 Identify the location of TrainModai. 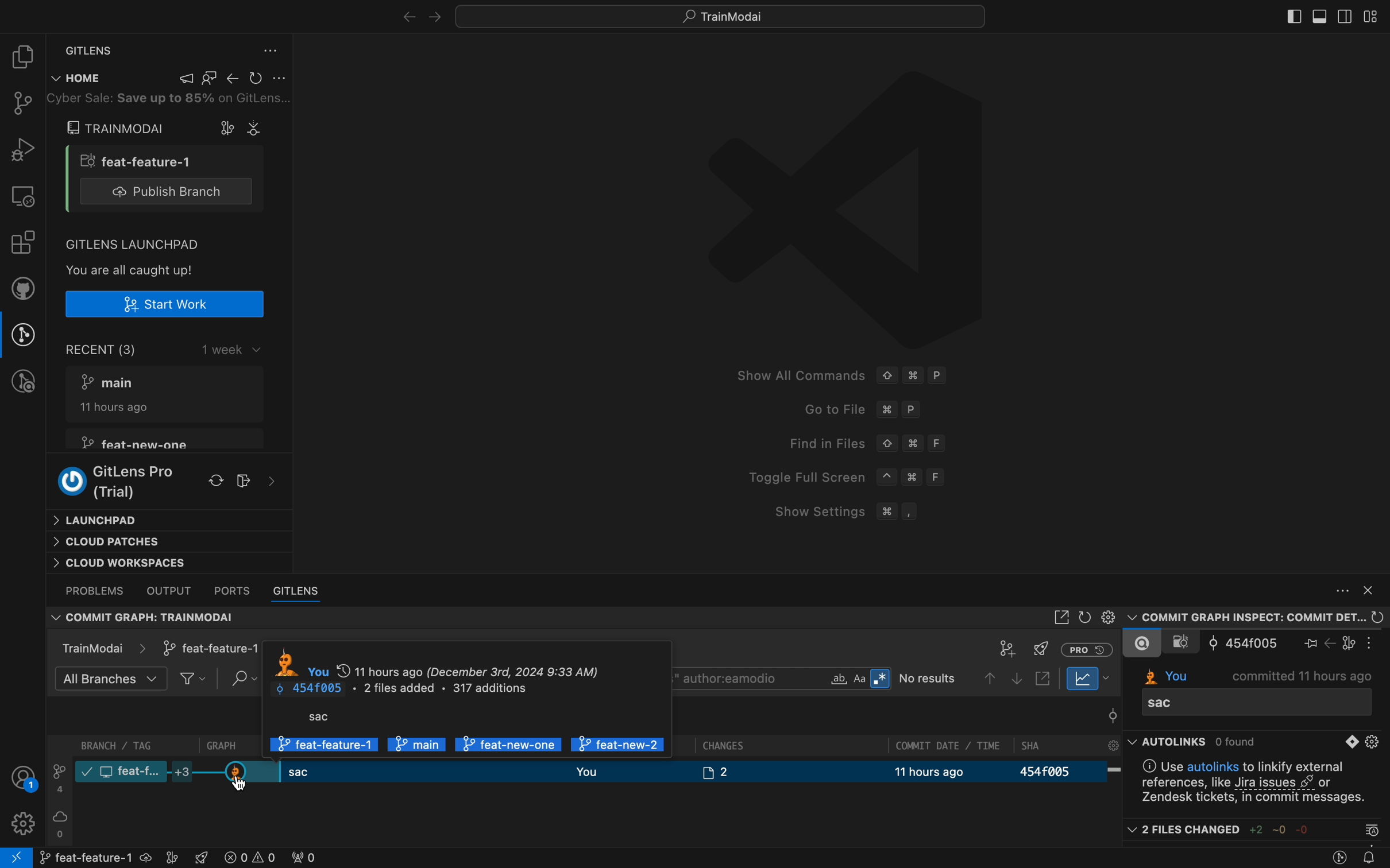
(97, 649).